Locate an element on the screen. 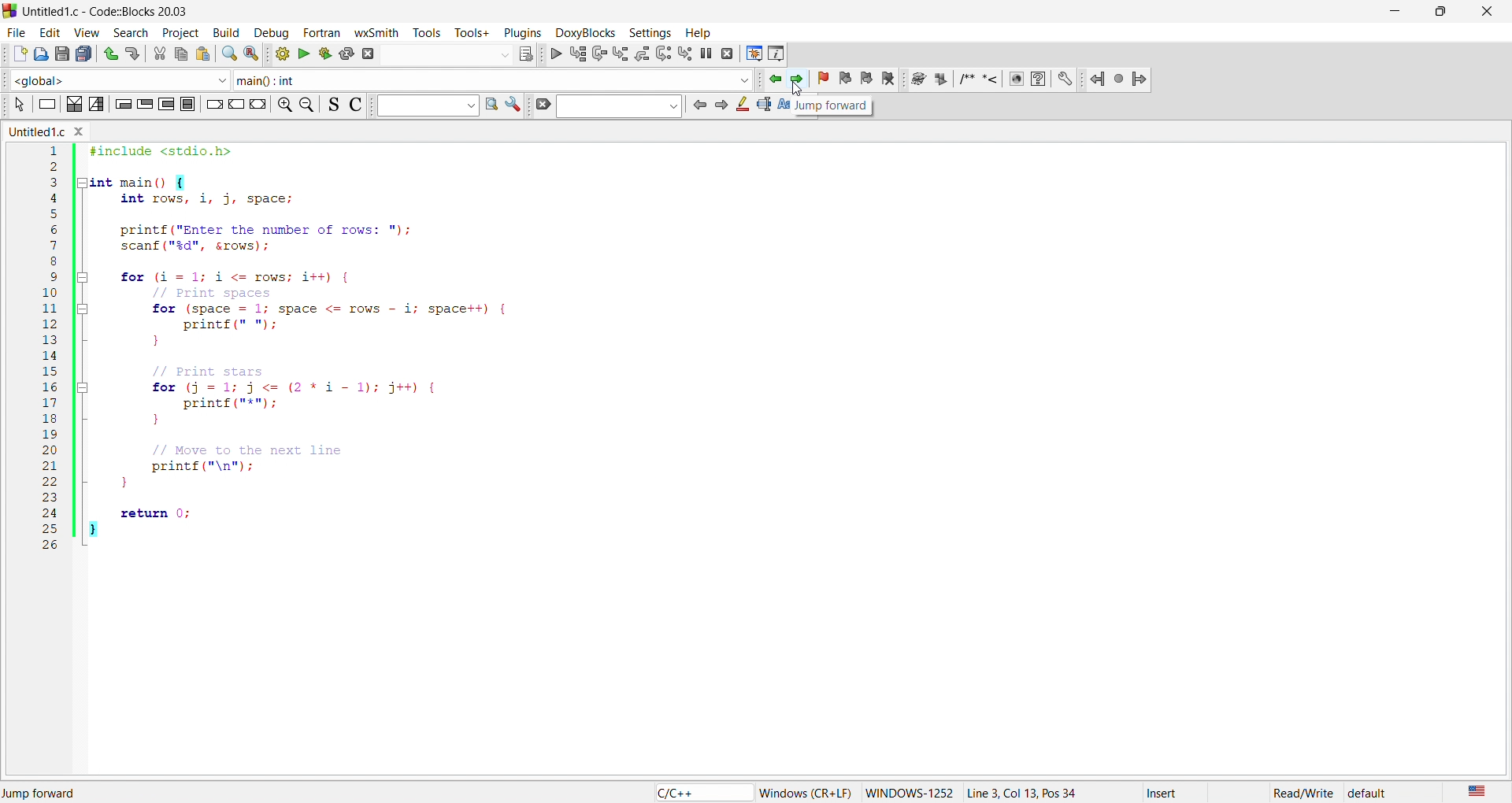 This screenshot has height=803, width=1512. icon is located at coordinates (697, 105).